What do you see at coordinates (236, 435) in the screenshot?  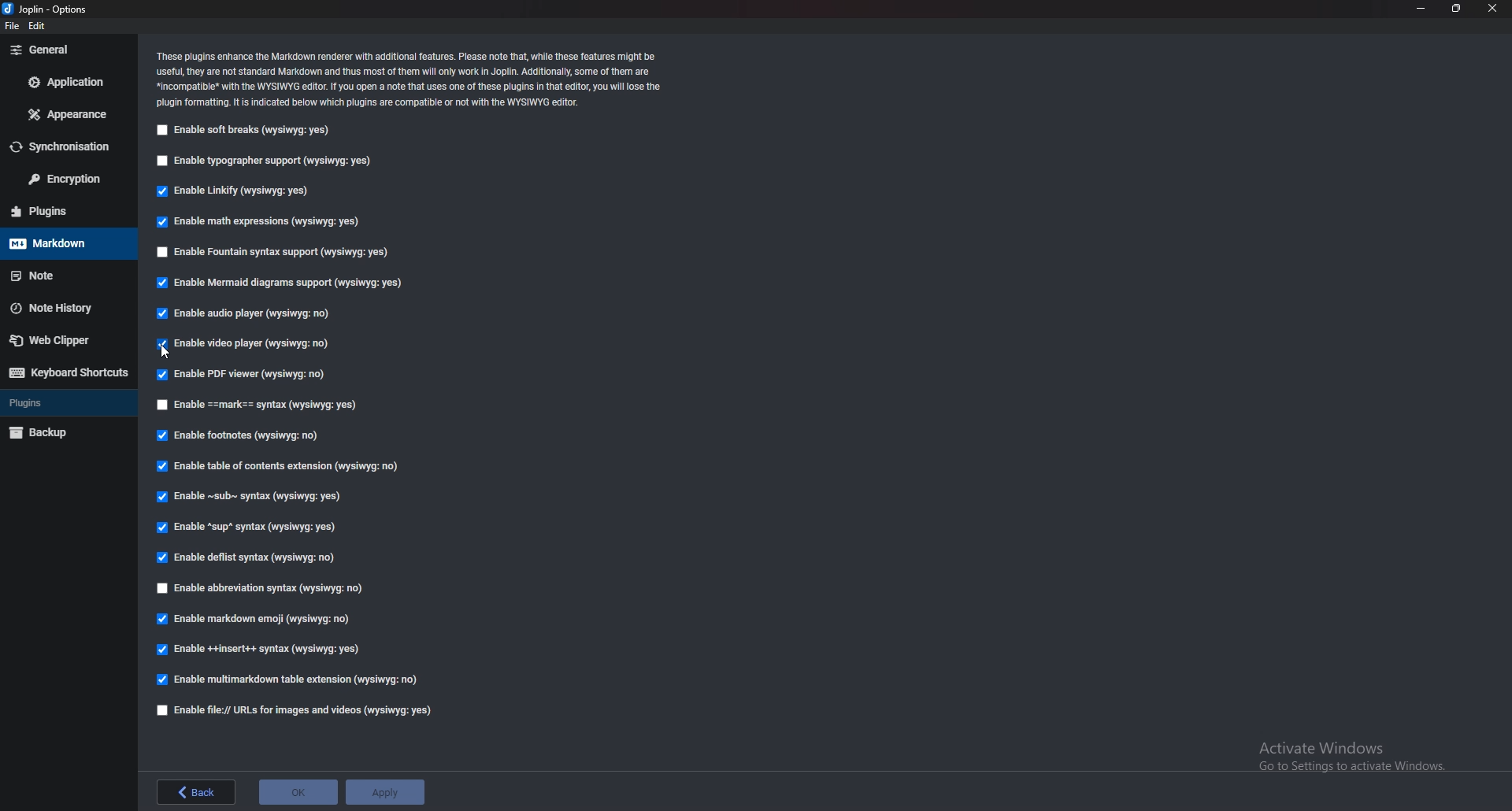 I see `Enable footnotes (wysiqyg:no)` at bounding box center [236, 435].